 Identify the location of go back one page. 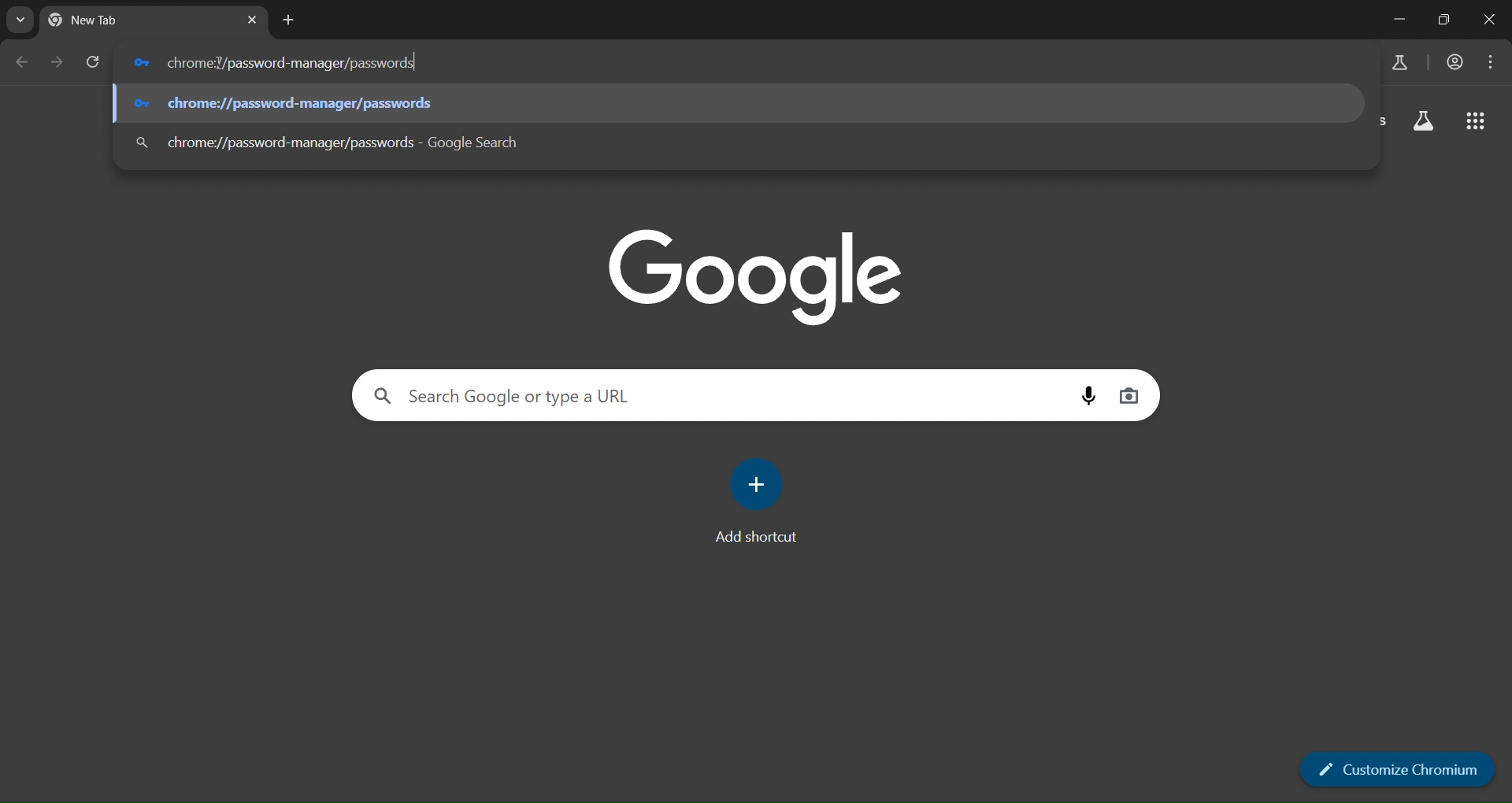
(24, 61).